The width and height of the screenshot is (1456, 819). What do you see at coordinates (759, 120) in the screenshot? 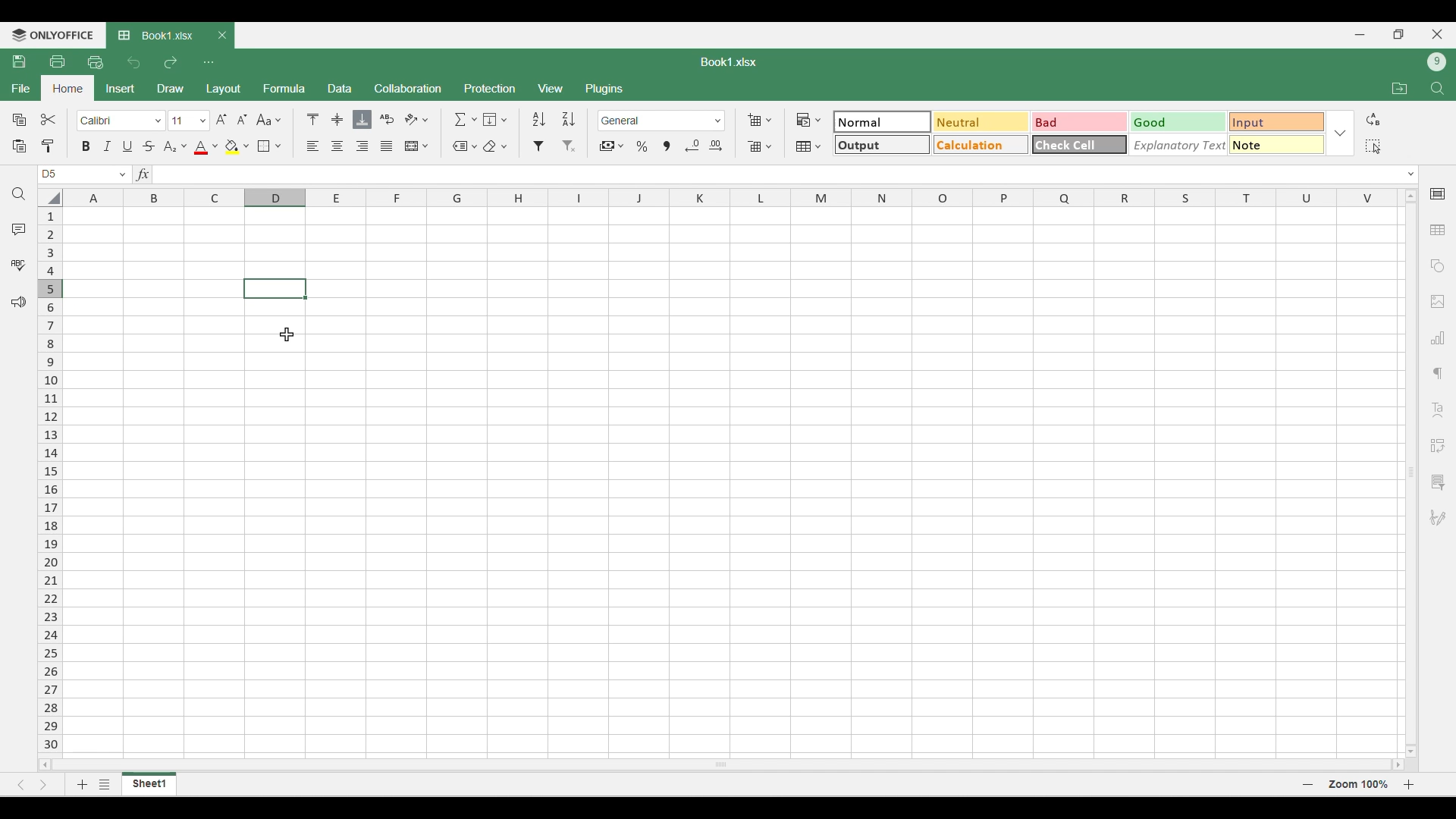
I see `Insert cell options` at bounding box center [759, 120].